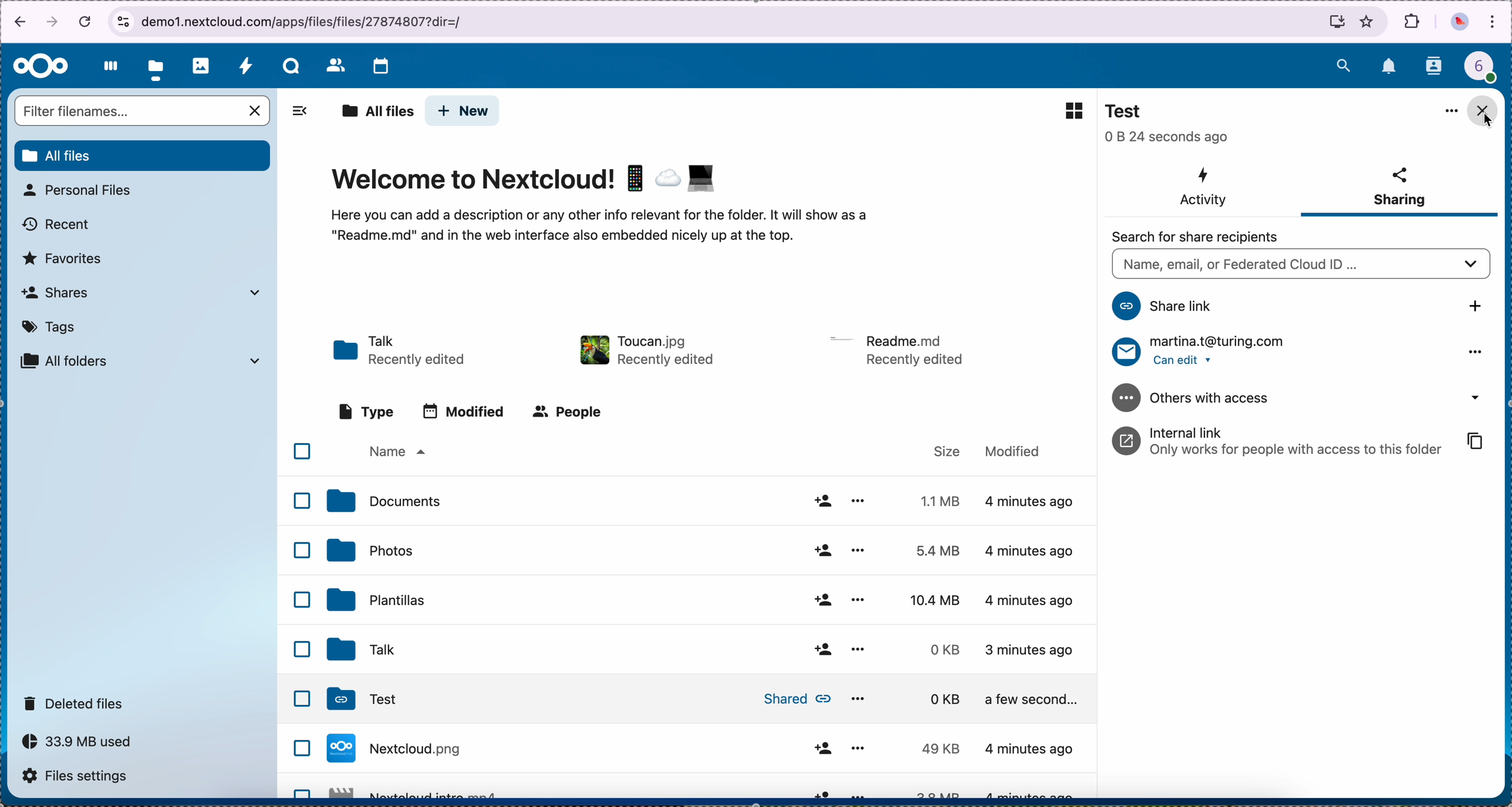  What do you see at coordinates (140, 292) in the screenshot?
I see `shares` at bounding box center [140, 292].